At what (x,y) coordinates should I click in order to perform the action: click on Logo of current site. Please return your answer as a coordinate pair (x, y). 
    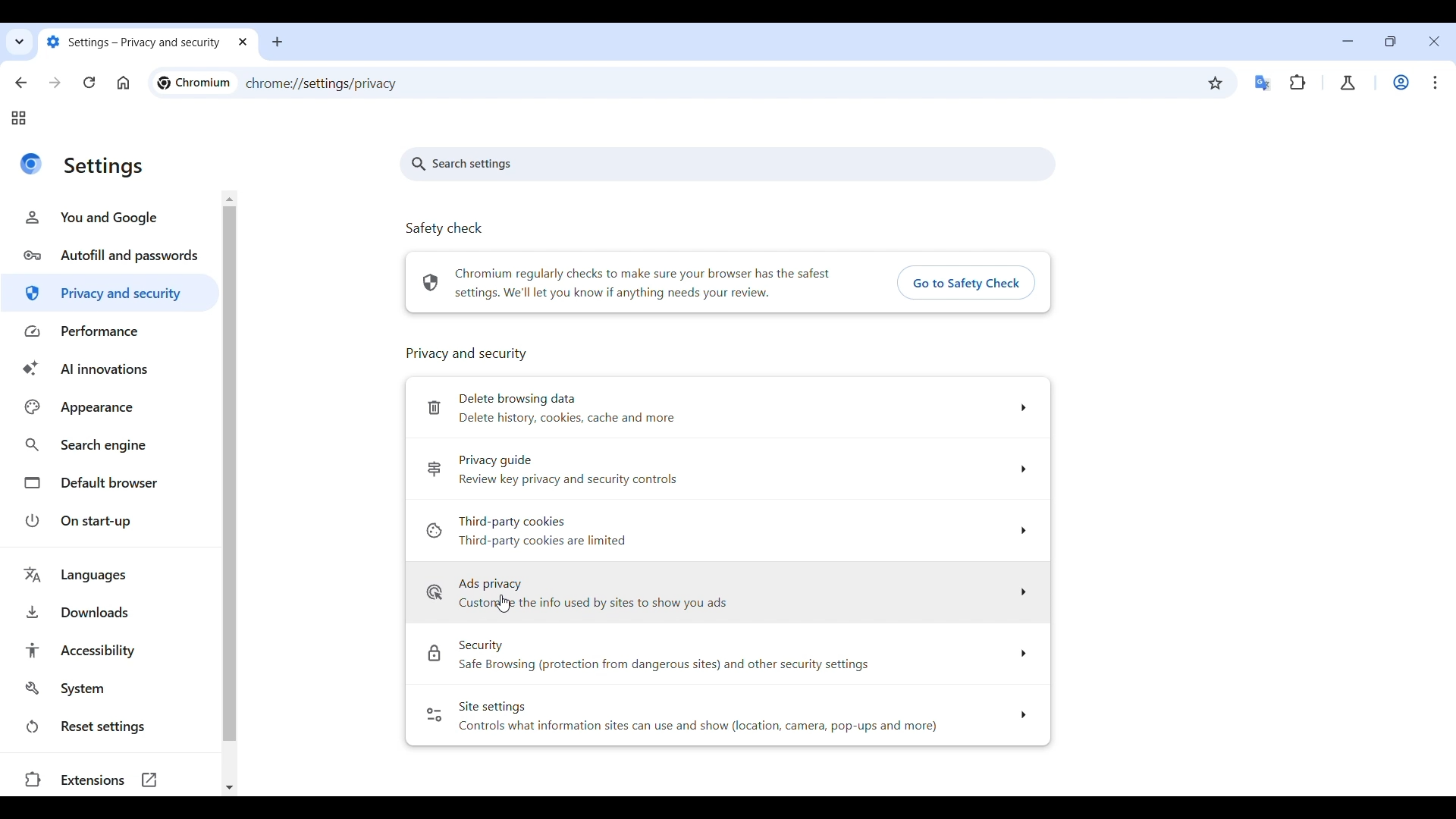
    Looking at the image, I should click on (31, 164).